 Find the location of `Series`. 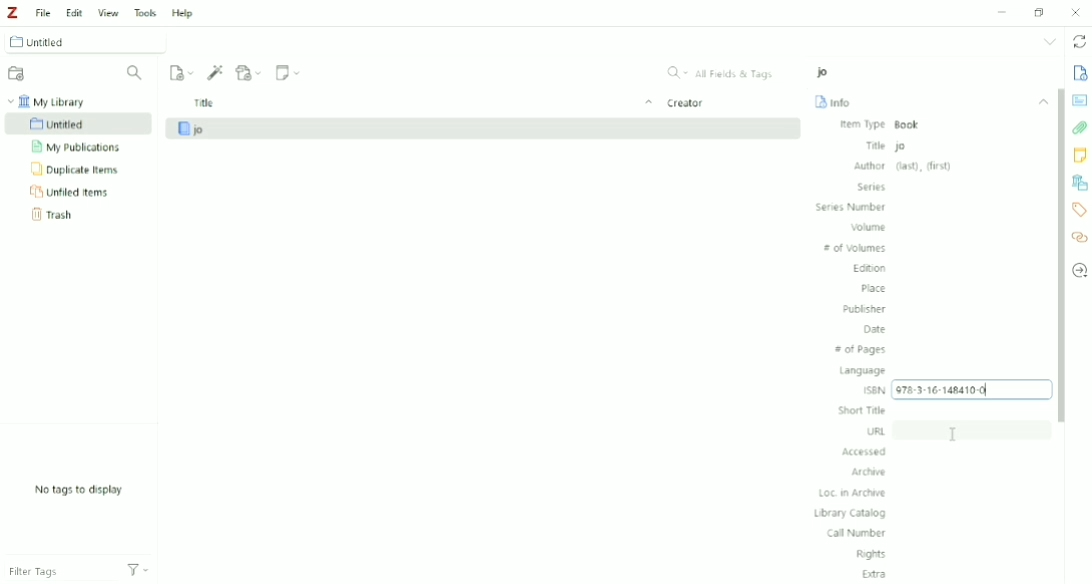

Series is located at coordinates (871, 187).